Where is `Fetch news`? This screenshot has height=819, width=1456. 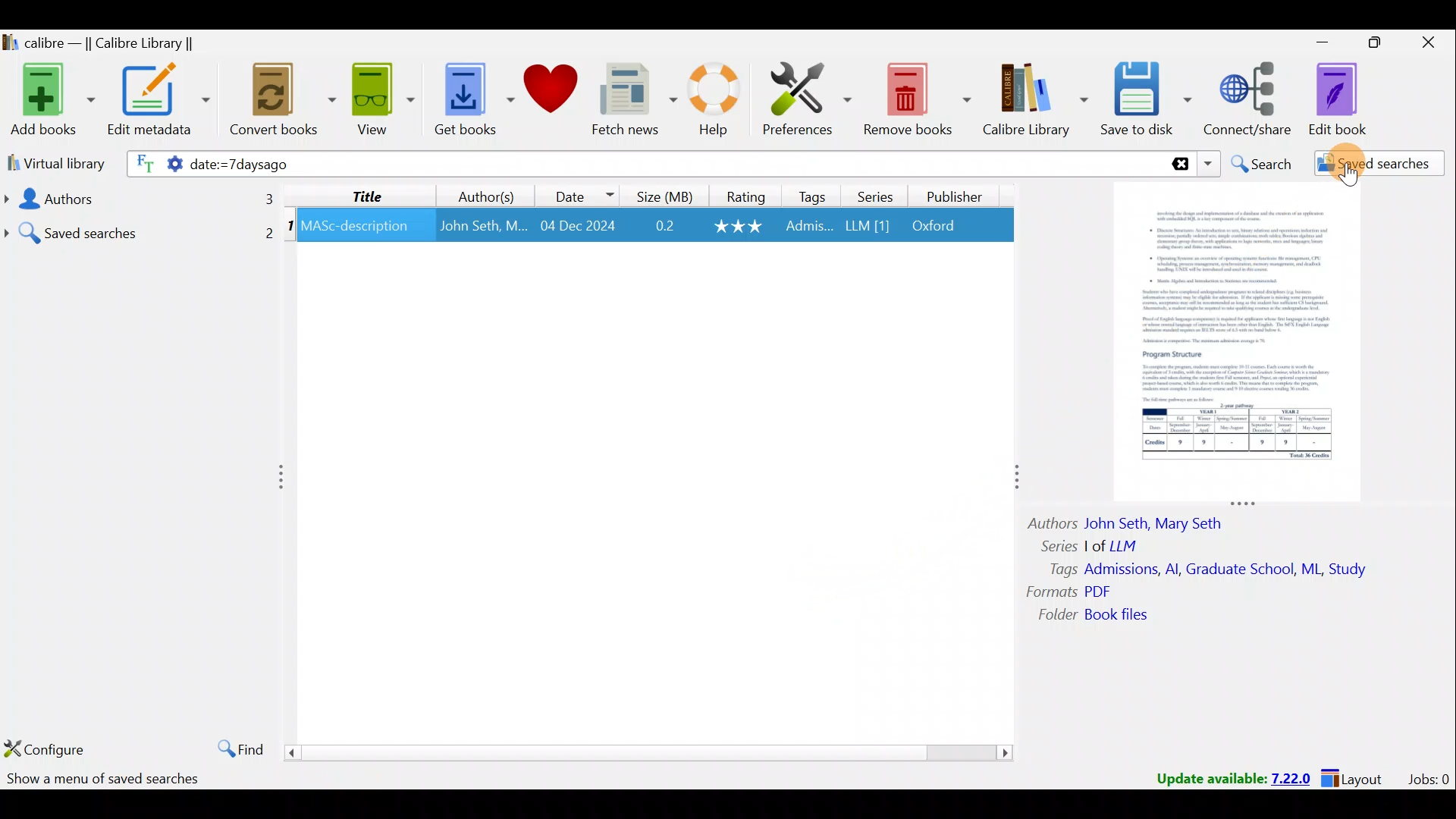 Fetch news is located at coordinates (634, 100).